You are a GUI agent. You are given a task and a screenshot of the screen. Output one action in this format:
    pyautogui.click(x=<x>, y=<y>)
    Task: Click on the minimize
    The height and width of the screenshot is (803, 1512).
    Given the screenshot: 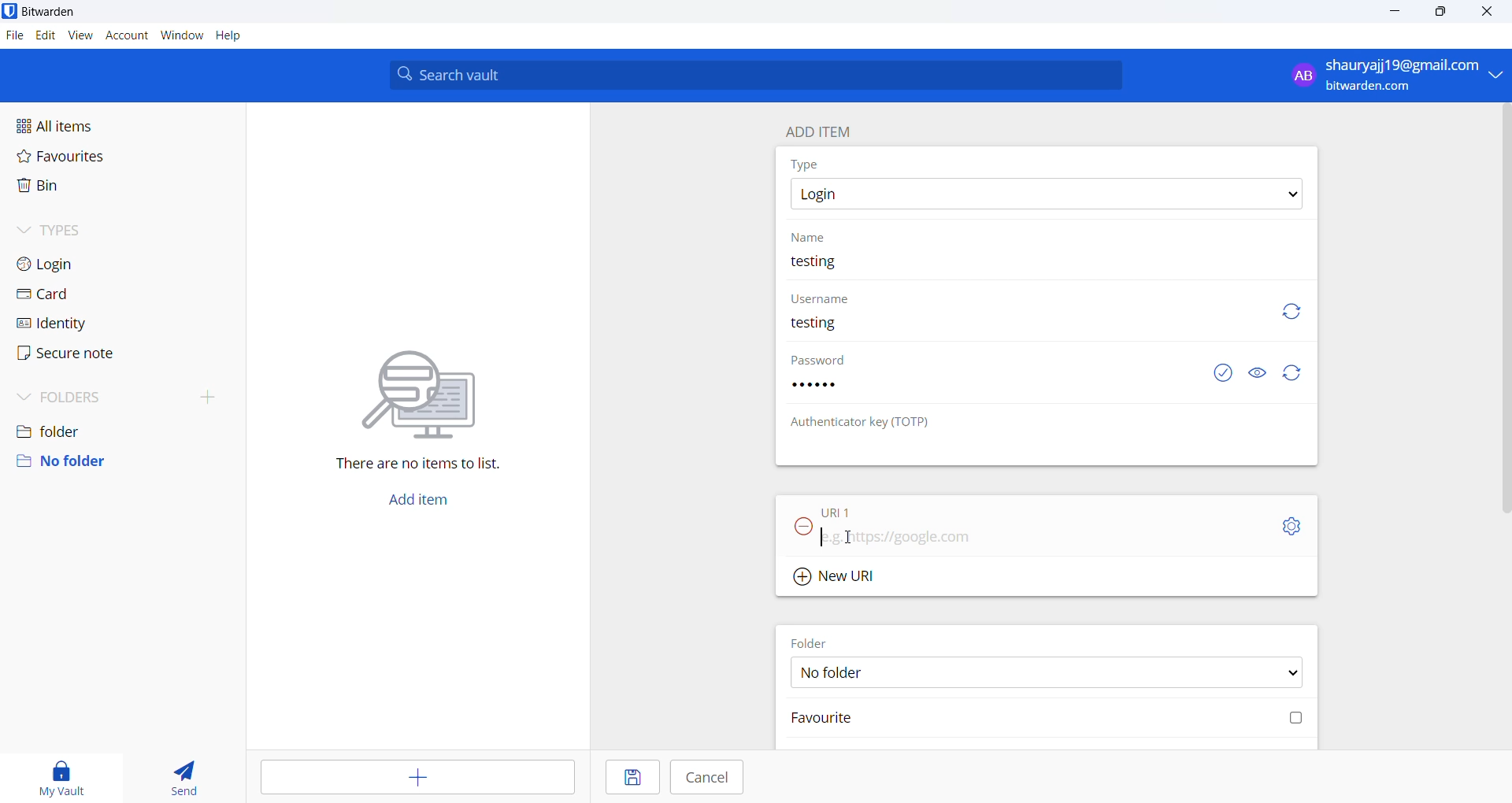 What is the action you would take?
    pyautogui.click(x=1396, y=12)
    